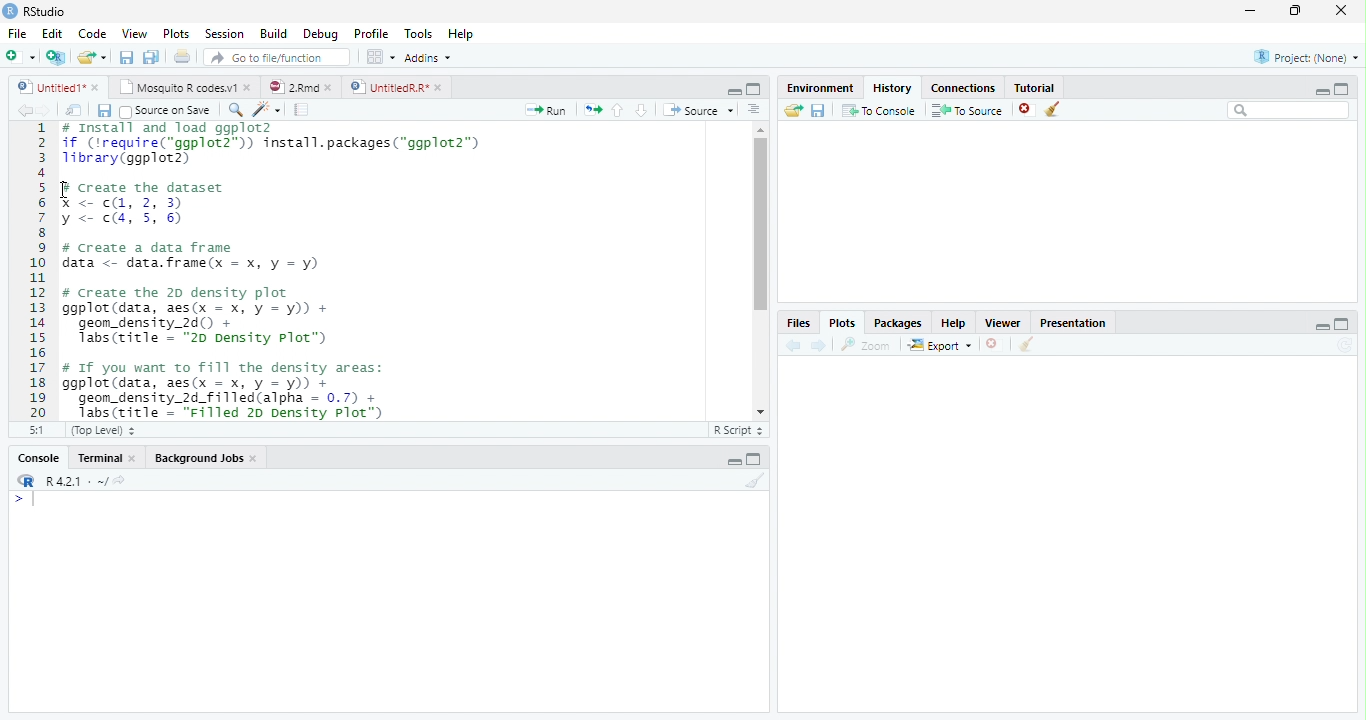 This screenshot has height=720, width=1366. Describe the element at coordinates (1297, 10) in the screenshot. I see `maximize` at that location.